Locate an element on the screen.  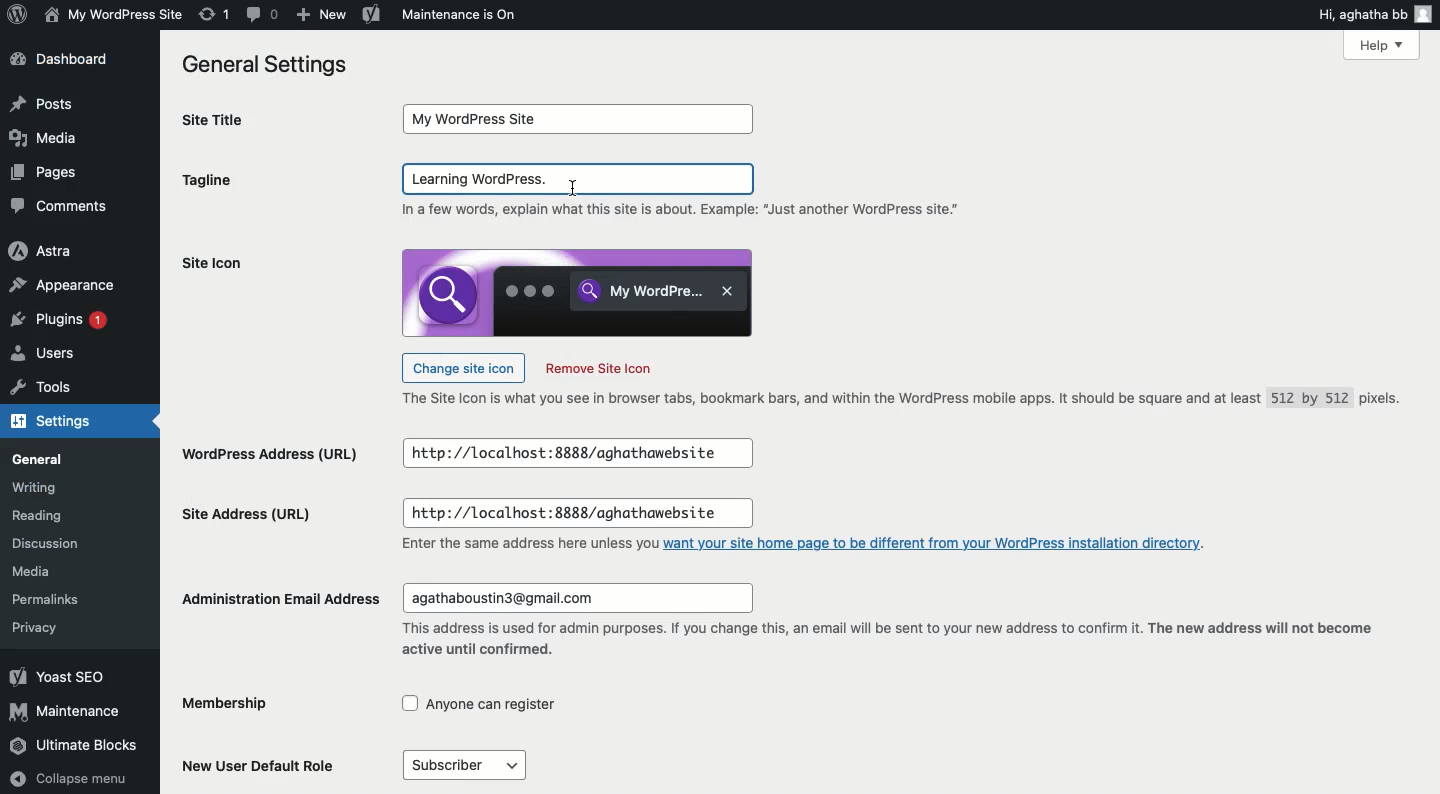
text is located at coordinates (687, 211).